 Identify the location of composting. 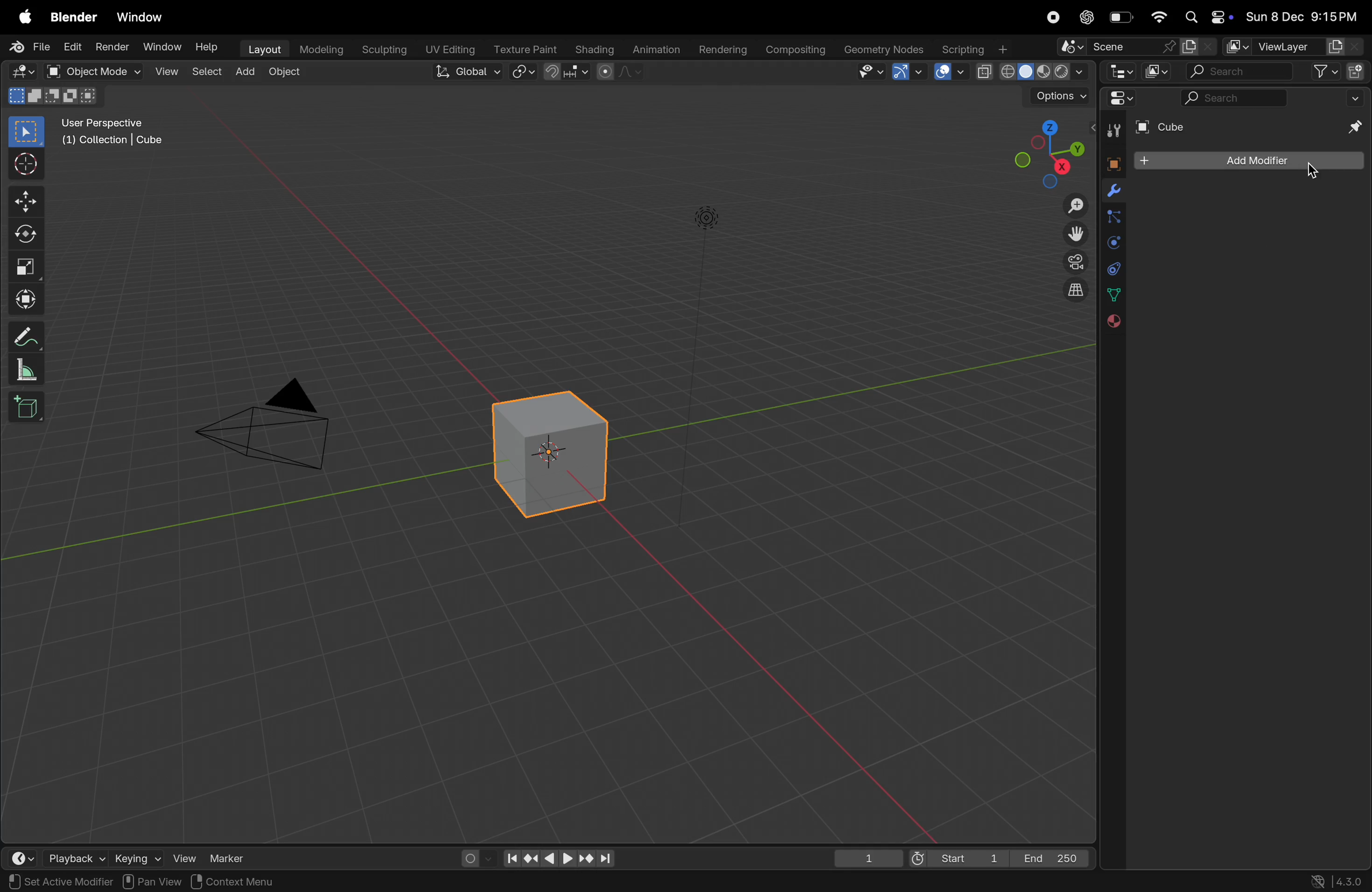
(797, 50).